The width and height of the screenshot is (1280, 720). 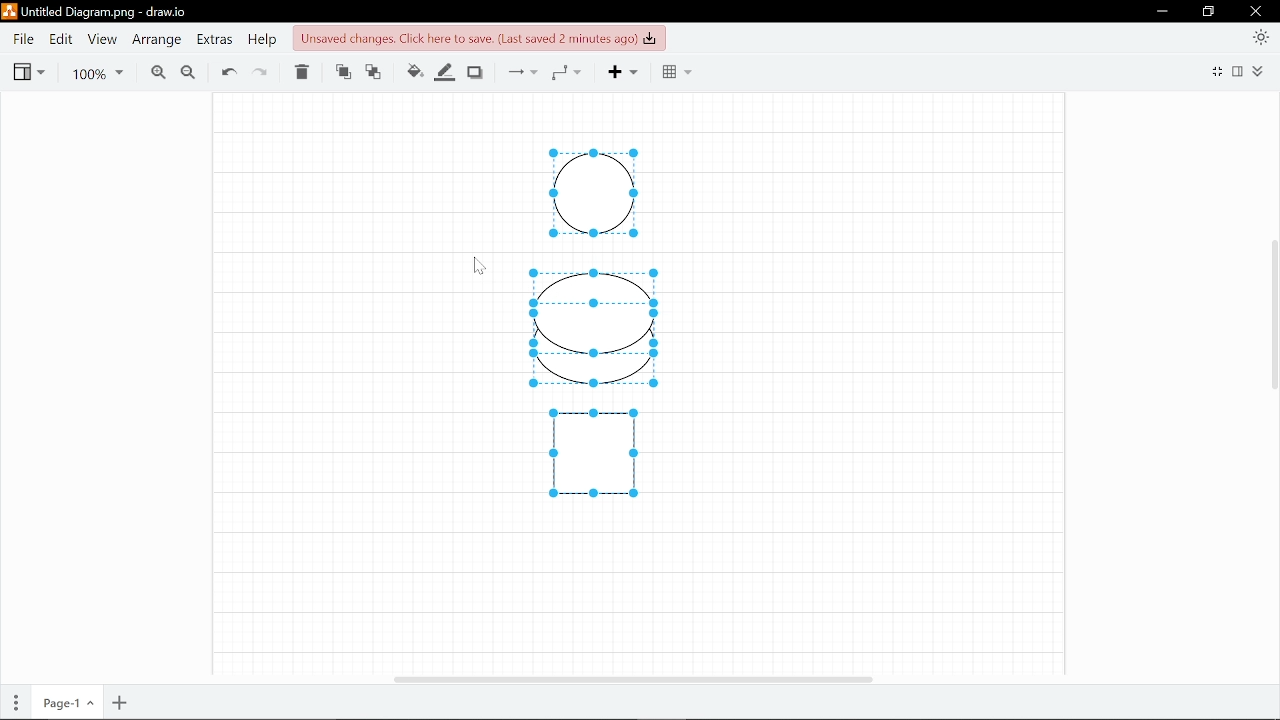 I want to click on Waypoints, so click(x=572, y=71).